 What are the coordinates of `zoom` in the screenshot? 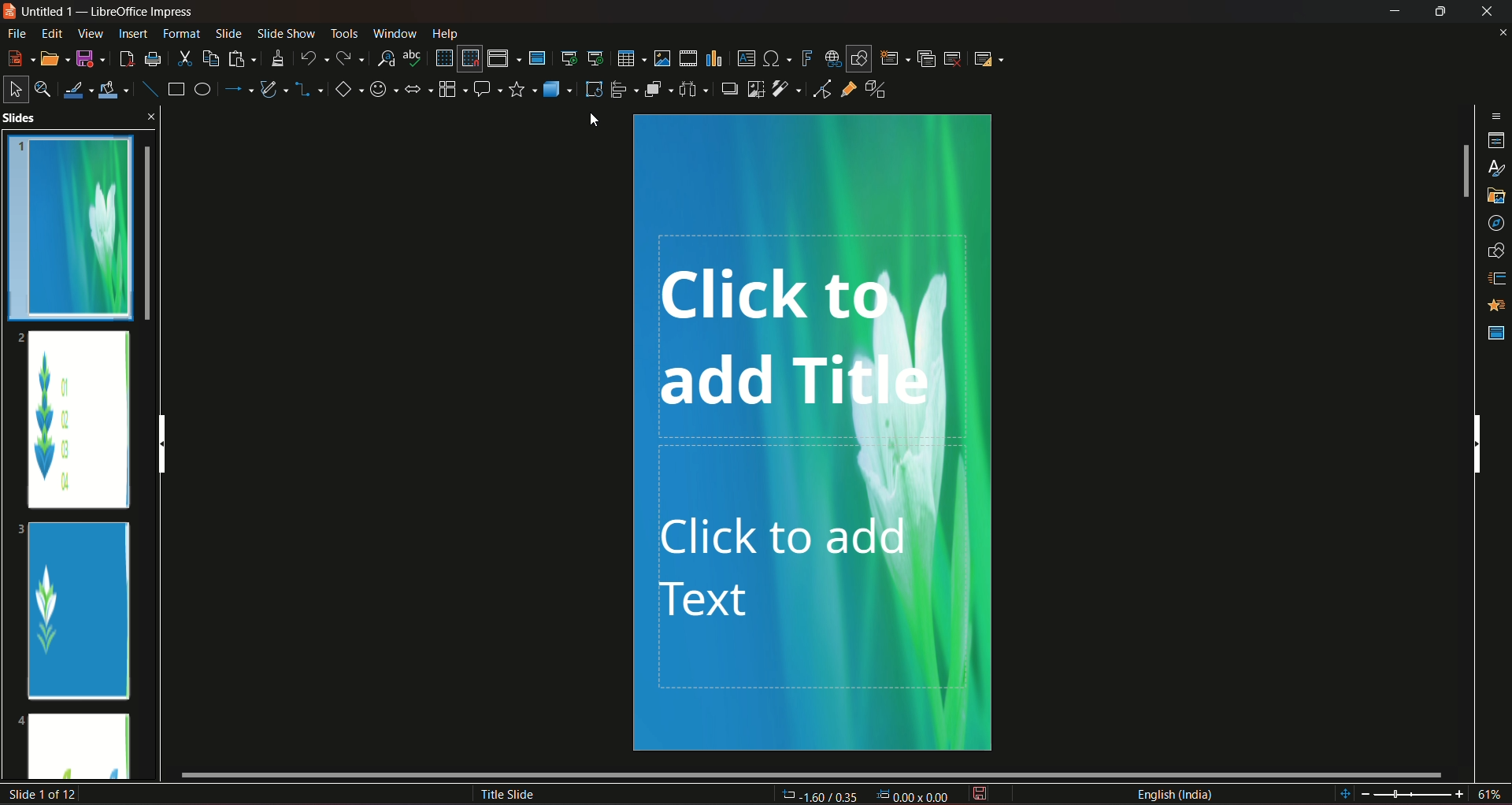 It's located at (1421, 792).